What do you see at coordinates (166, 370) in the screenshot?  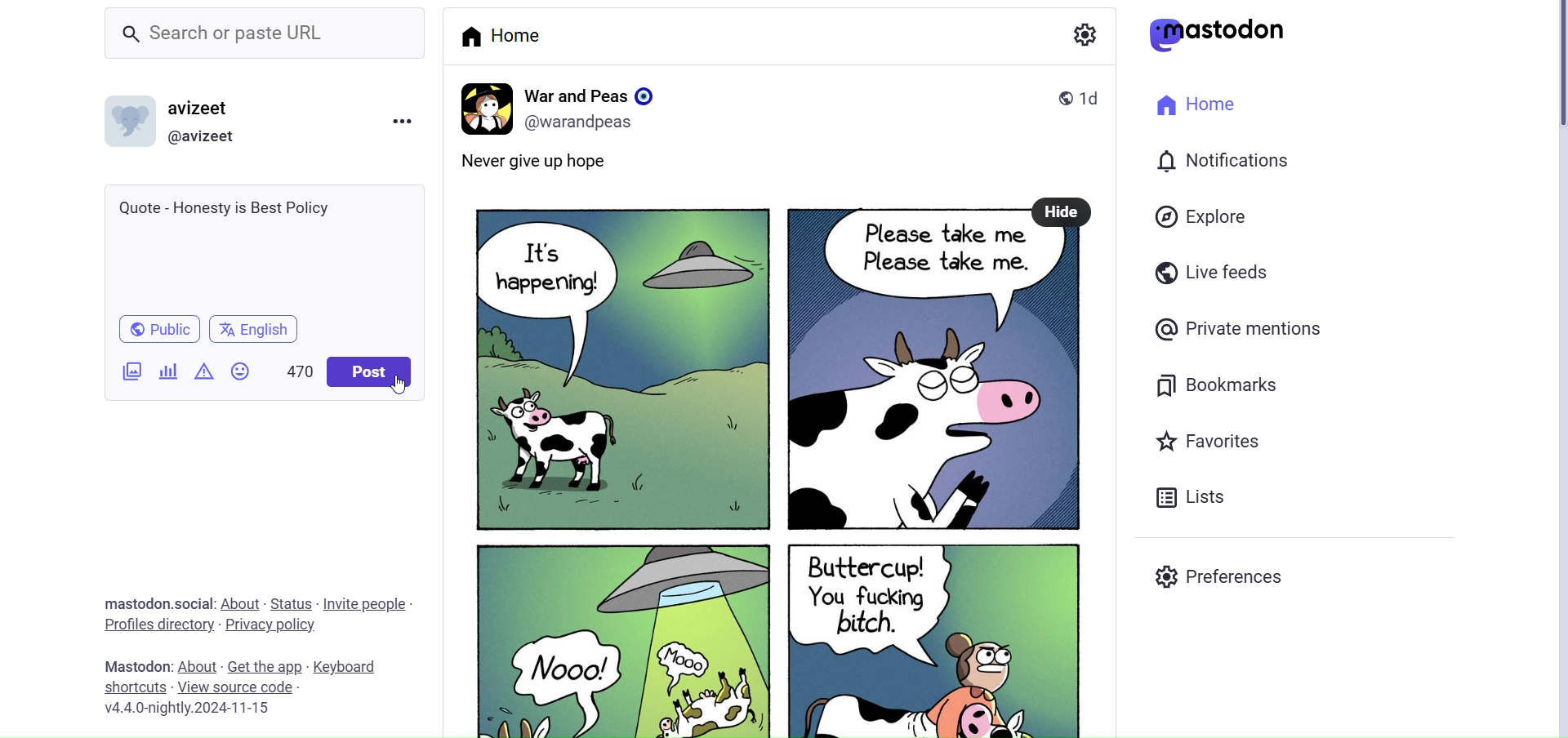 I see `Post Poll` at bounding box center [166, 370].